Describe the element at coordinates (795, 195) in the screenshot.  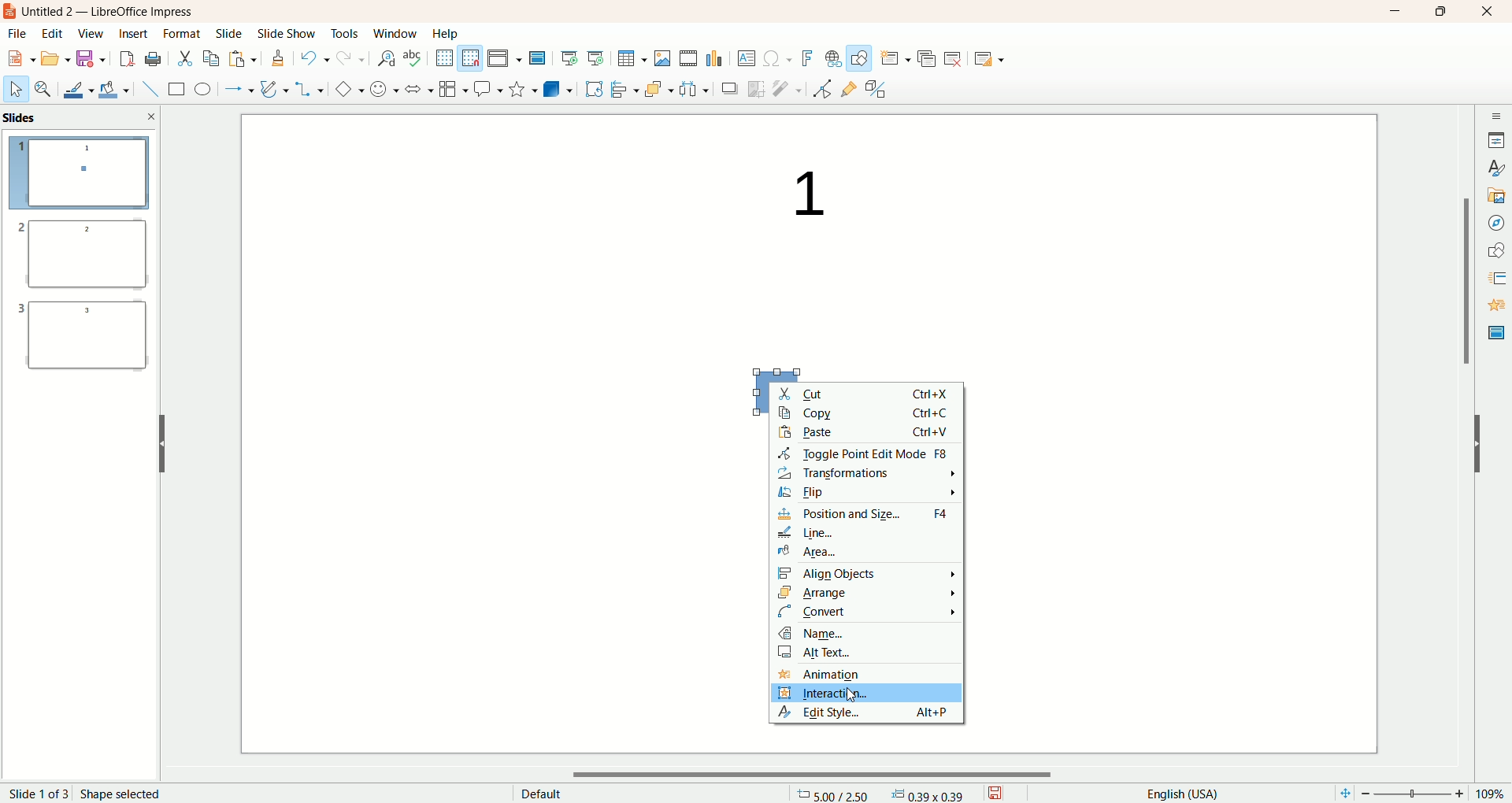
I see `text` at that location.